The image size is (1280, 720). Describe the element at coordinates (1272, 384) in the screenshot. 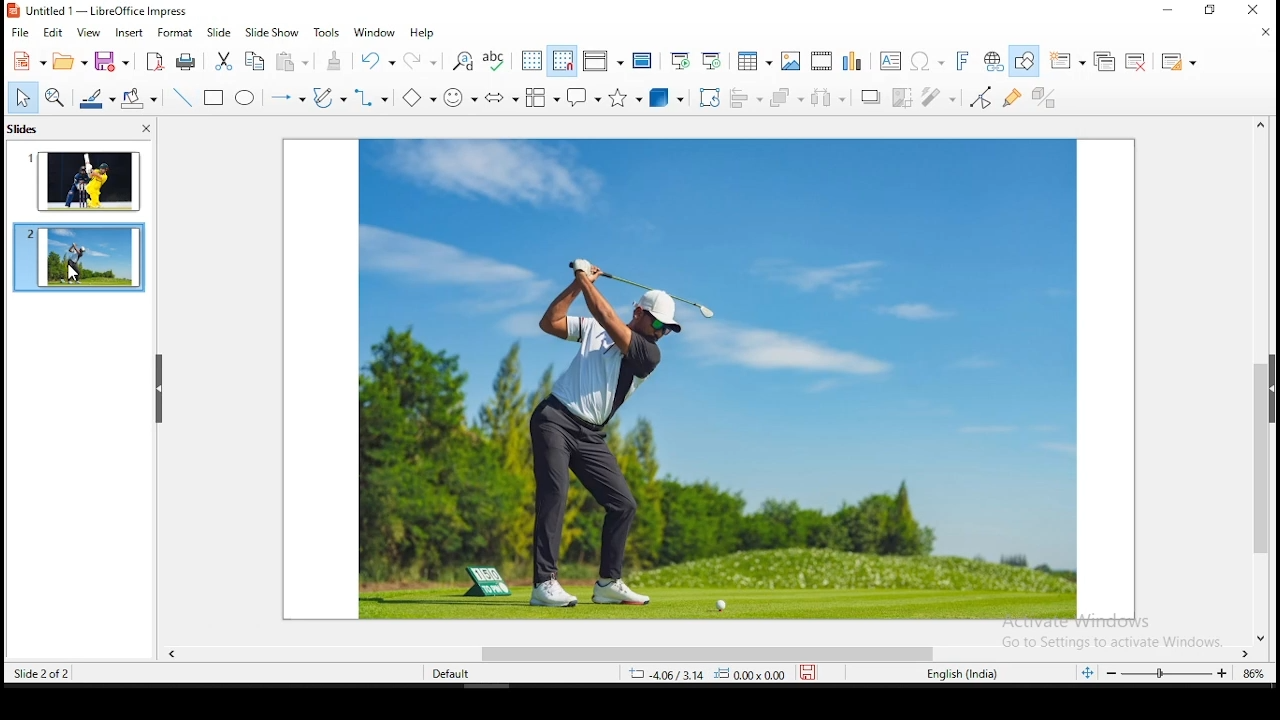

I see `hide` at that location.